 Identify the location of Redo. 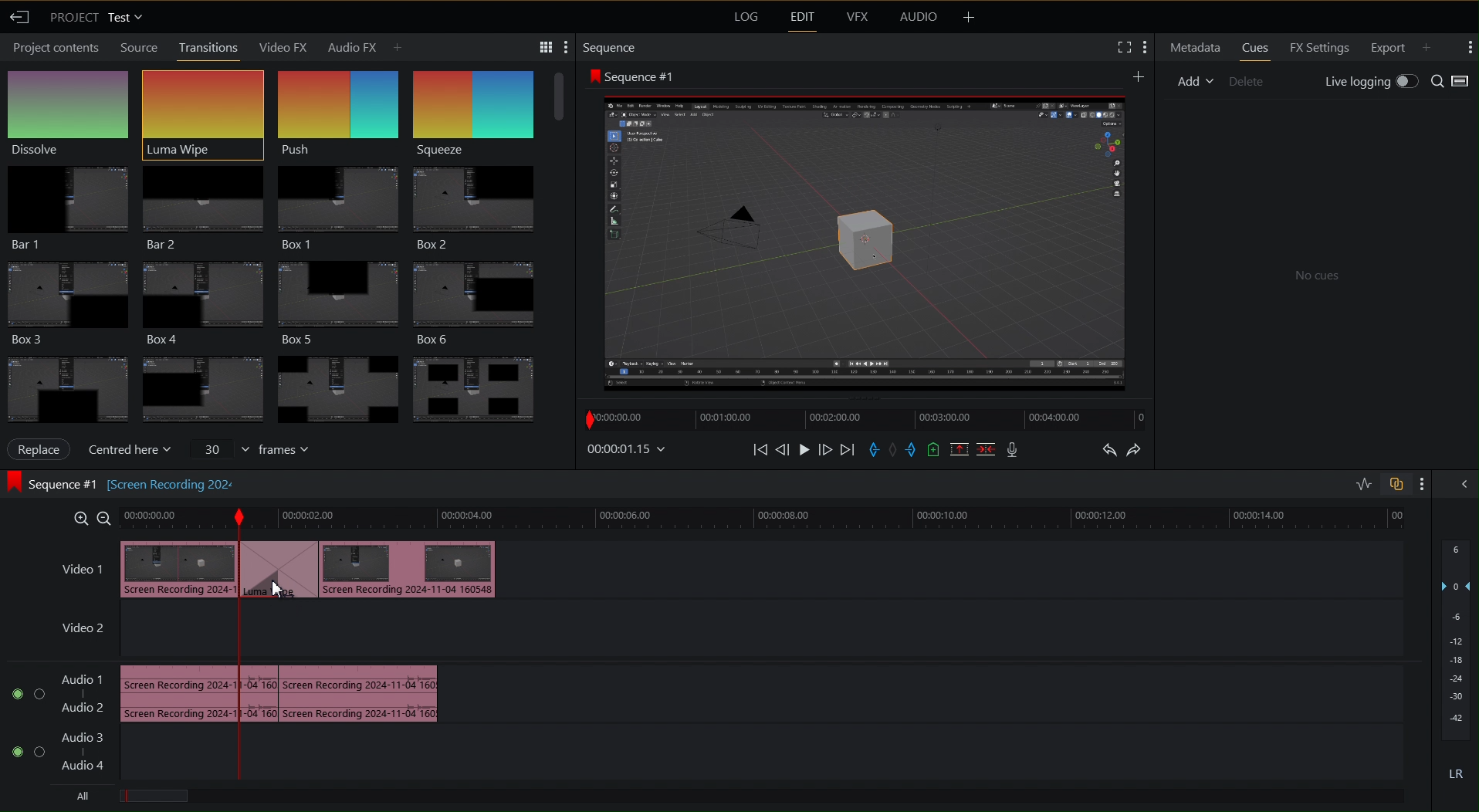
(1139, 448).